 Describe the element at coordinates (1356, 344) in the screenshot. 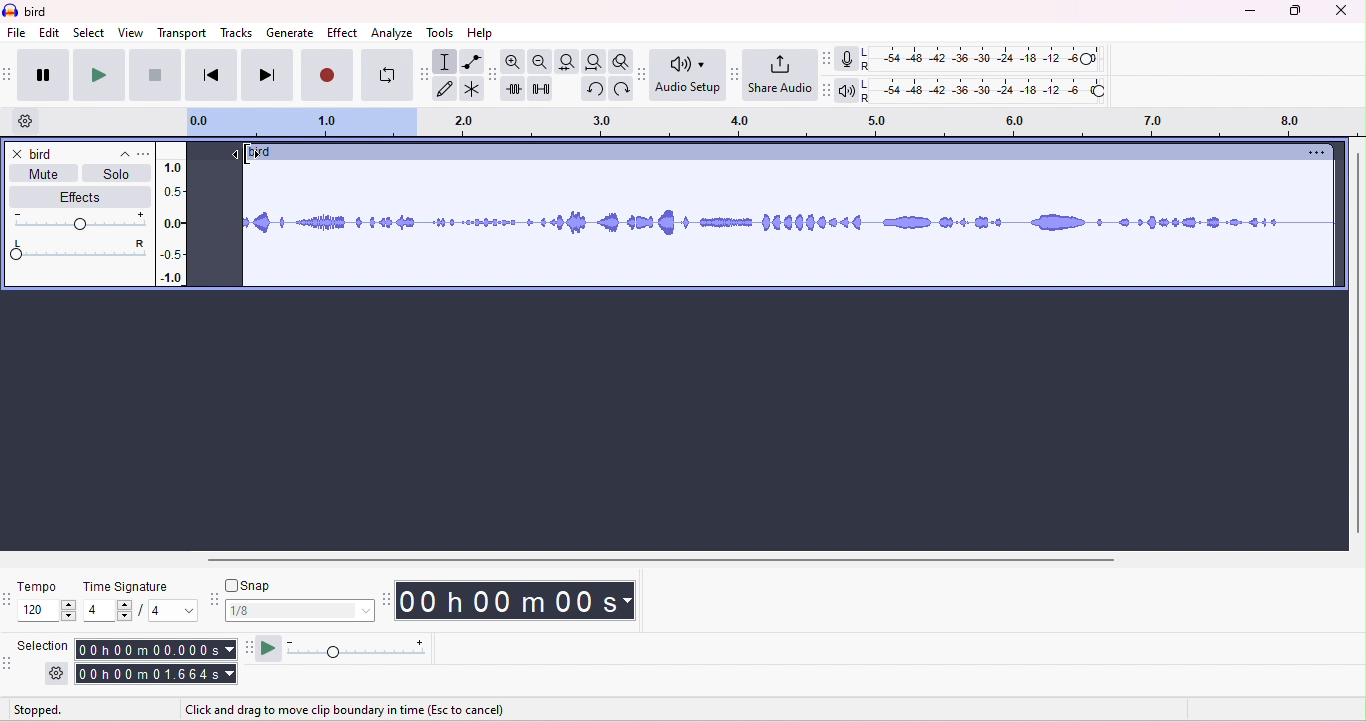

I see `vertical scroll bar` at that location.